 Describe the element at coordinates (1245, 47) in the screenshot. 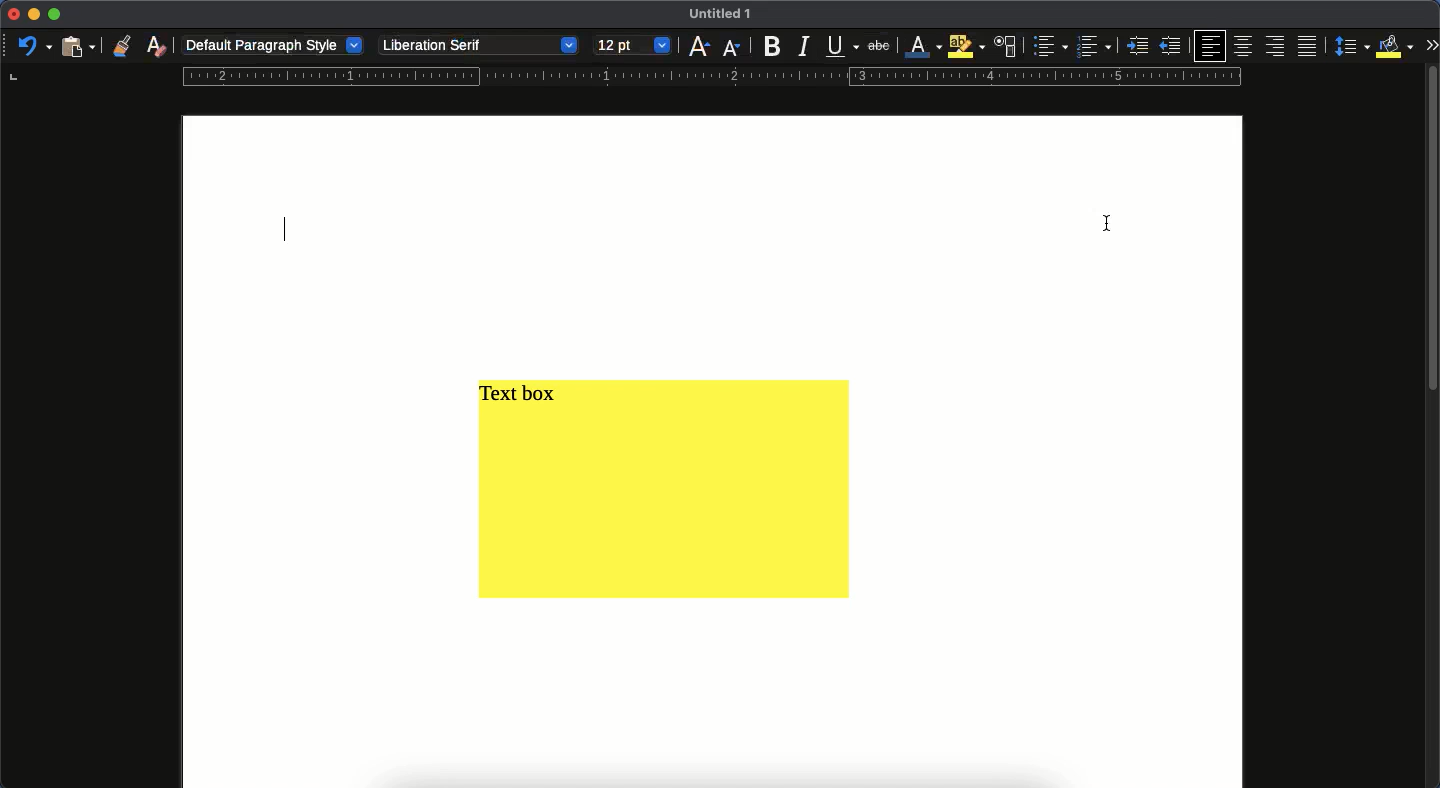

I see `center align` at that location.